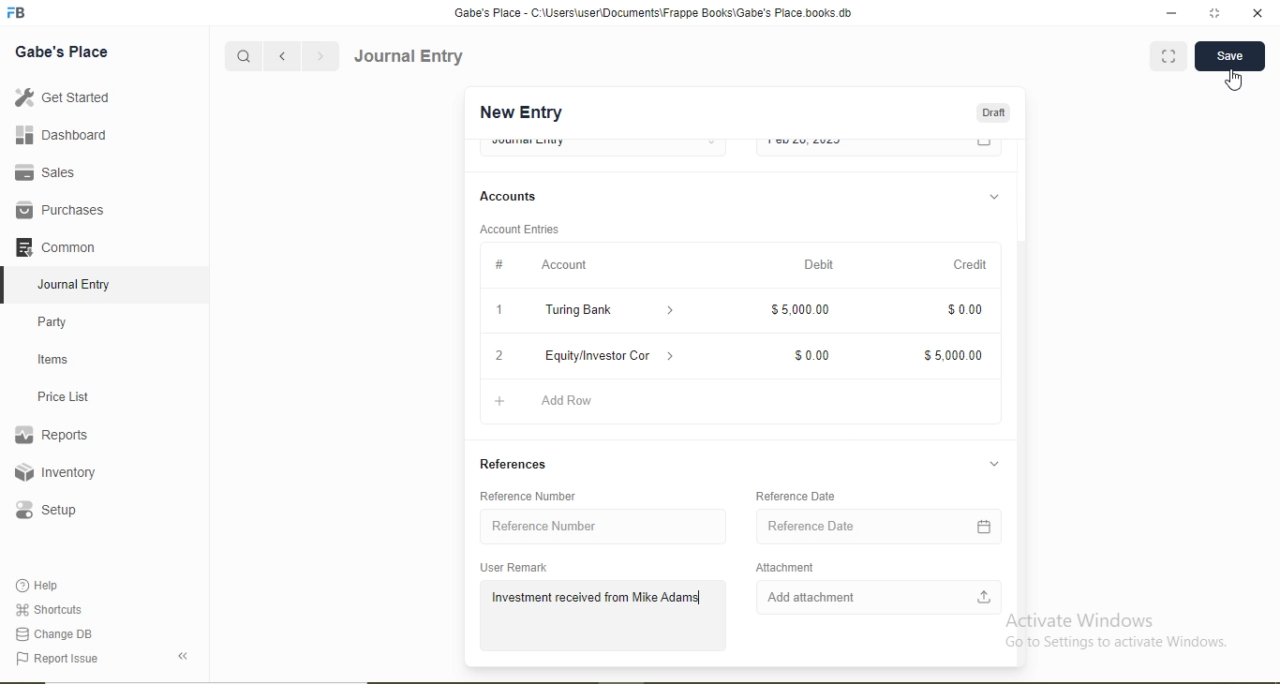  What do you see at coordinates (784, 567) in the screenshot?
I see `Attachment` at bounding box center [784, 567].